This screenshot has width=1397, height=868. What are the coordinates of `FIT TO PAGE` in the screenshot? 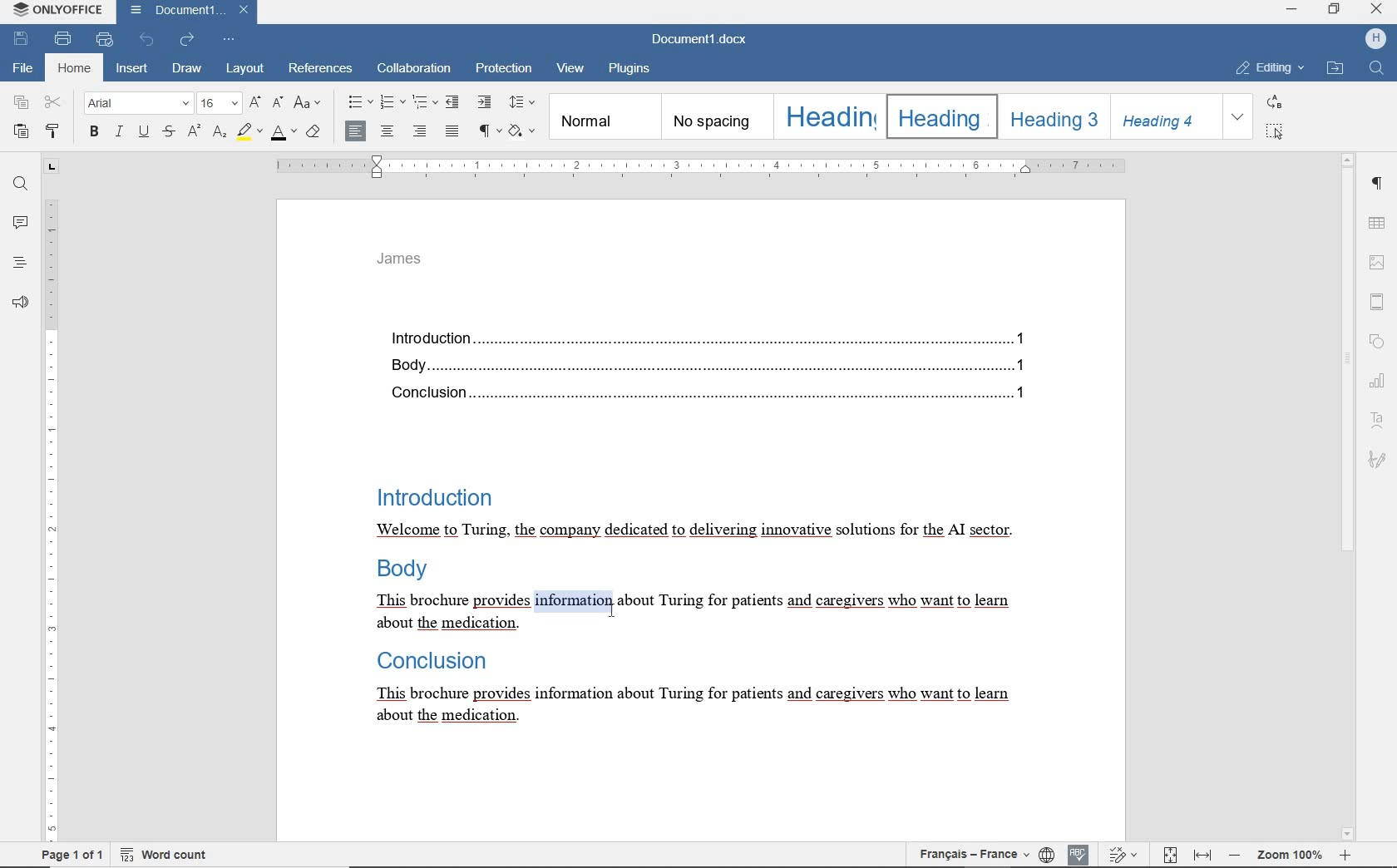 It's located at (1168, 856).